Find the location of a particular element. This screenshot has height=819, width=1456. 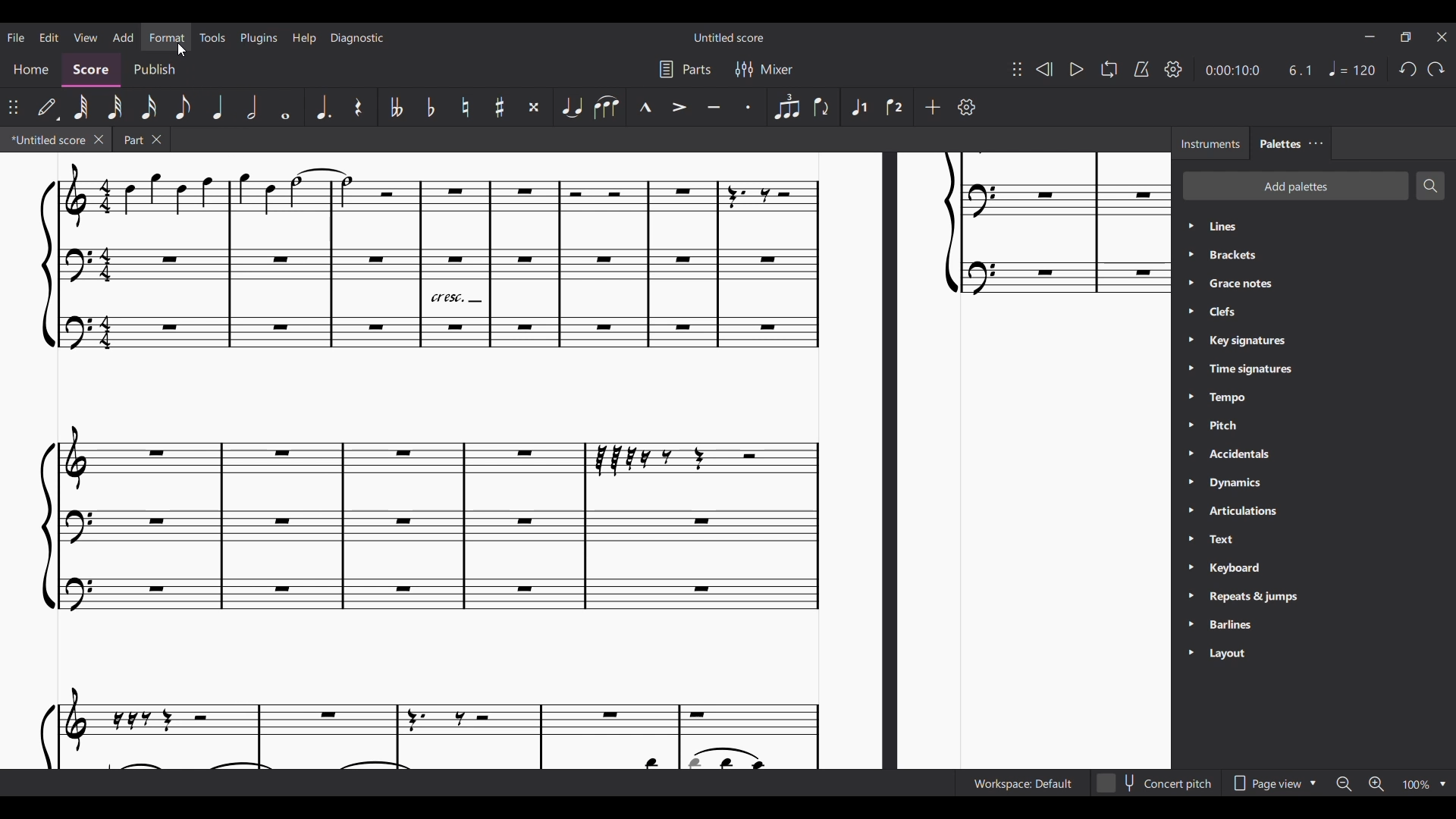

Zoom options is located at coordinates (1442, 784).